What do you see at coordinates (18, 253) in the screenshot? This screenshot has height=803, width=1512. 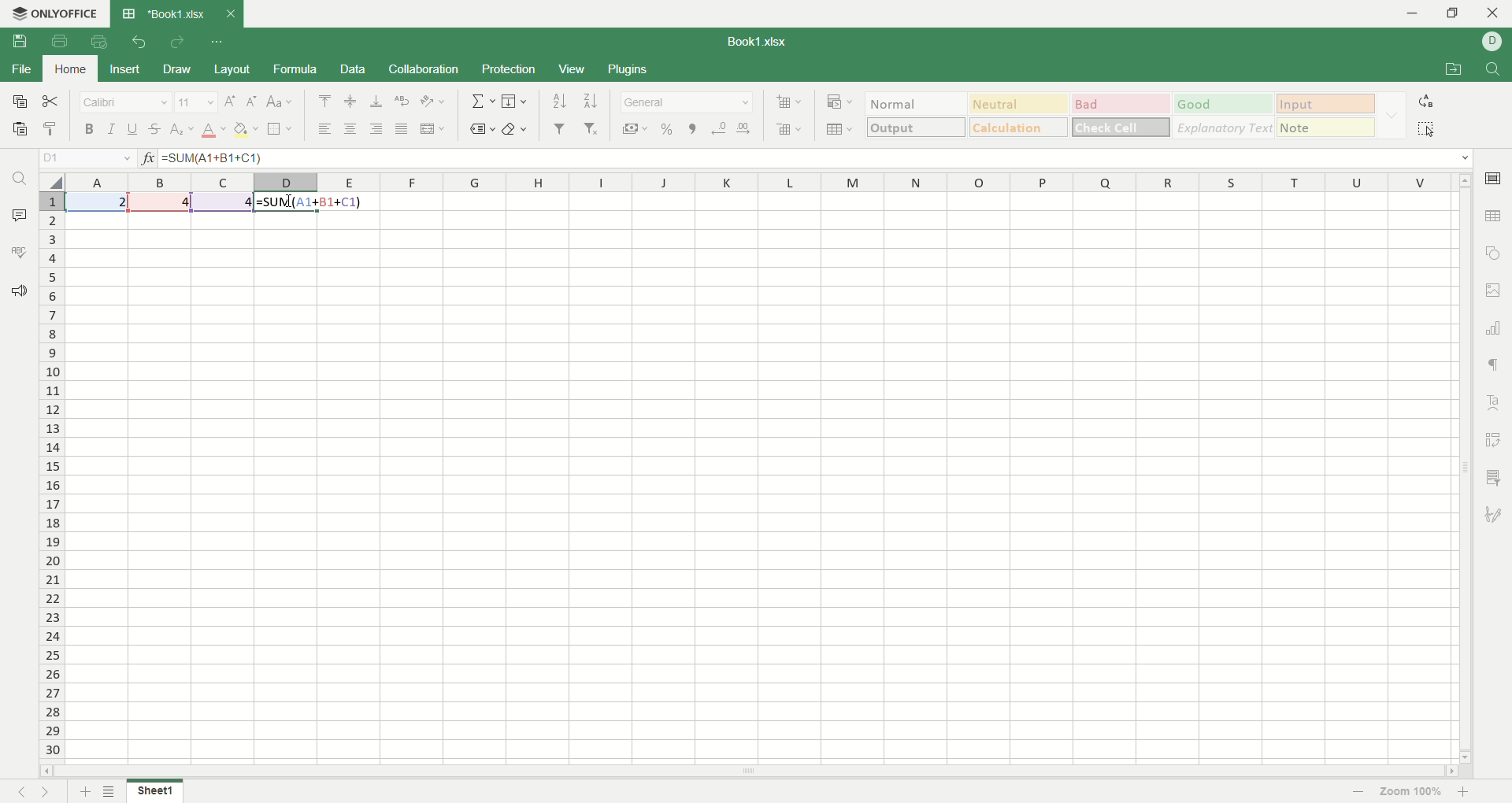 I see `spell checking` at bounding box center [18, 253].